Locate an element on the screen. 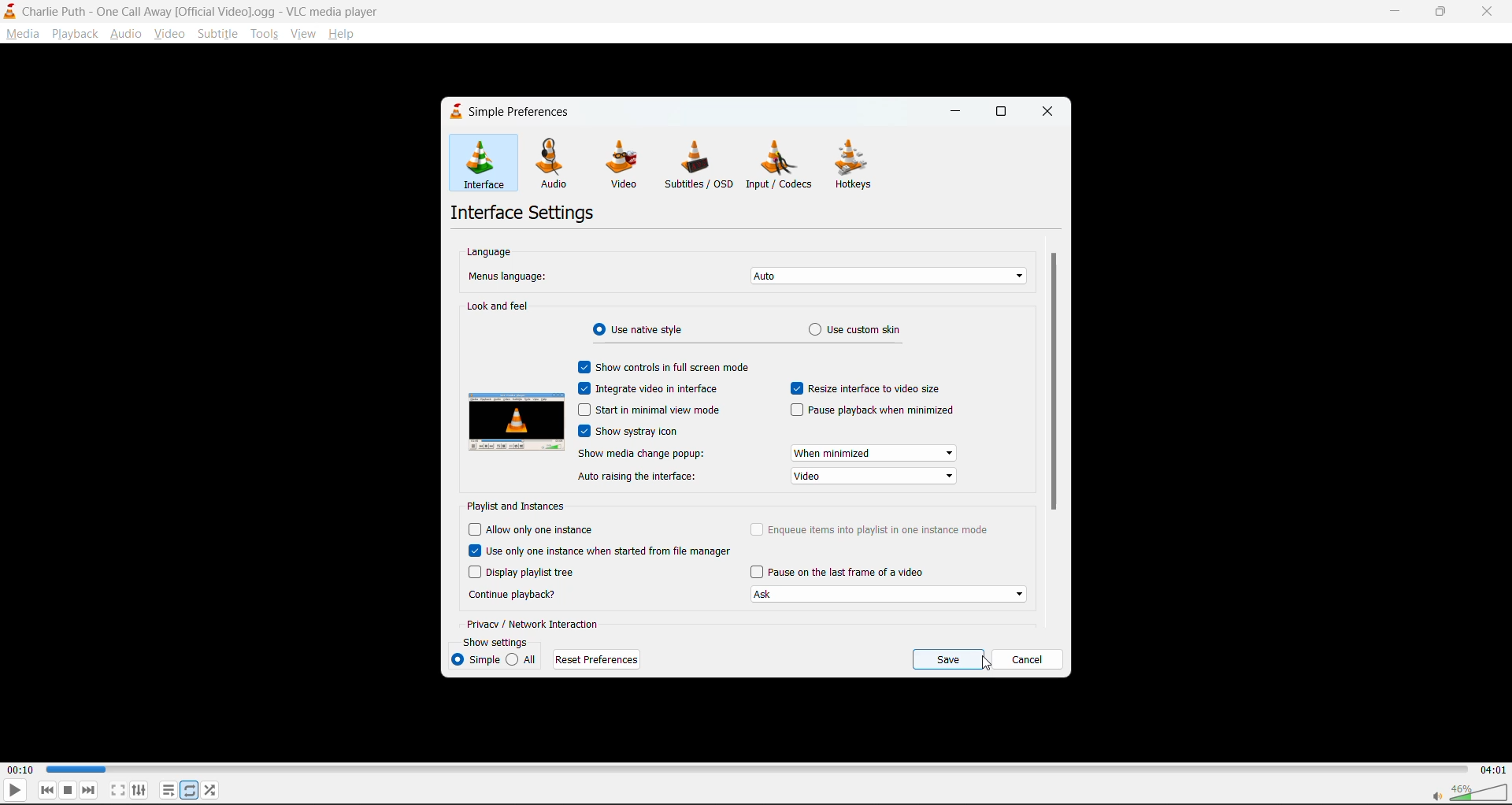  use native style is located at coordinates (651, 330).